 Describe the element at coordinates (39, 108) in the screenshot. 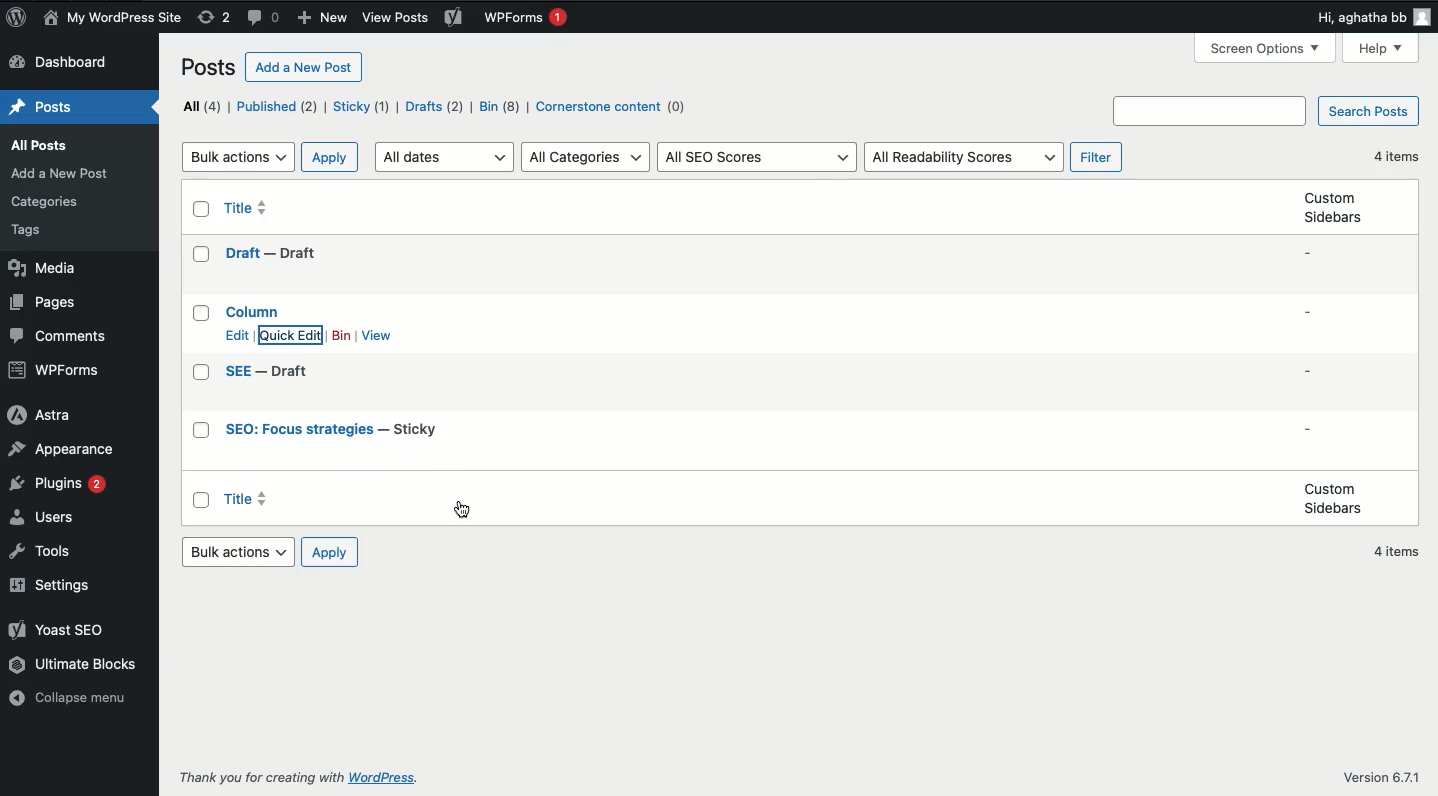

I see `Home` at that location.